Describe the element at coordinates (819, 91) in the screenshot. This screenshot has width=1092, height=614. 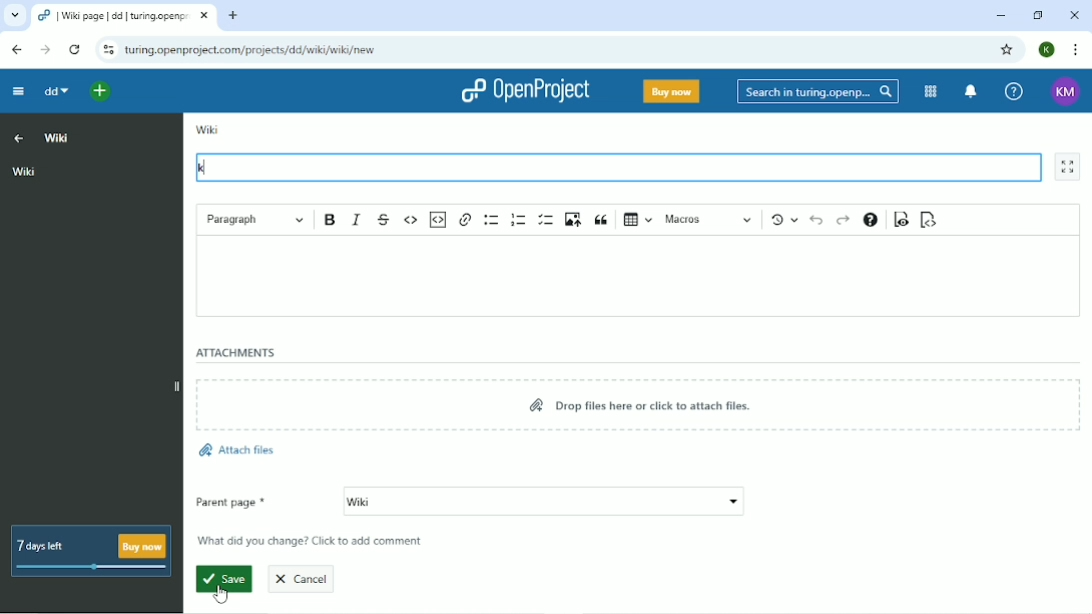
I see `Search` at that location.